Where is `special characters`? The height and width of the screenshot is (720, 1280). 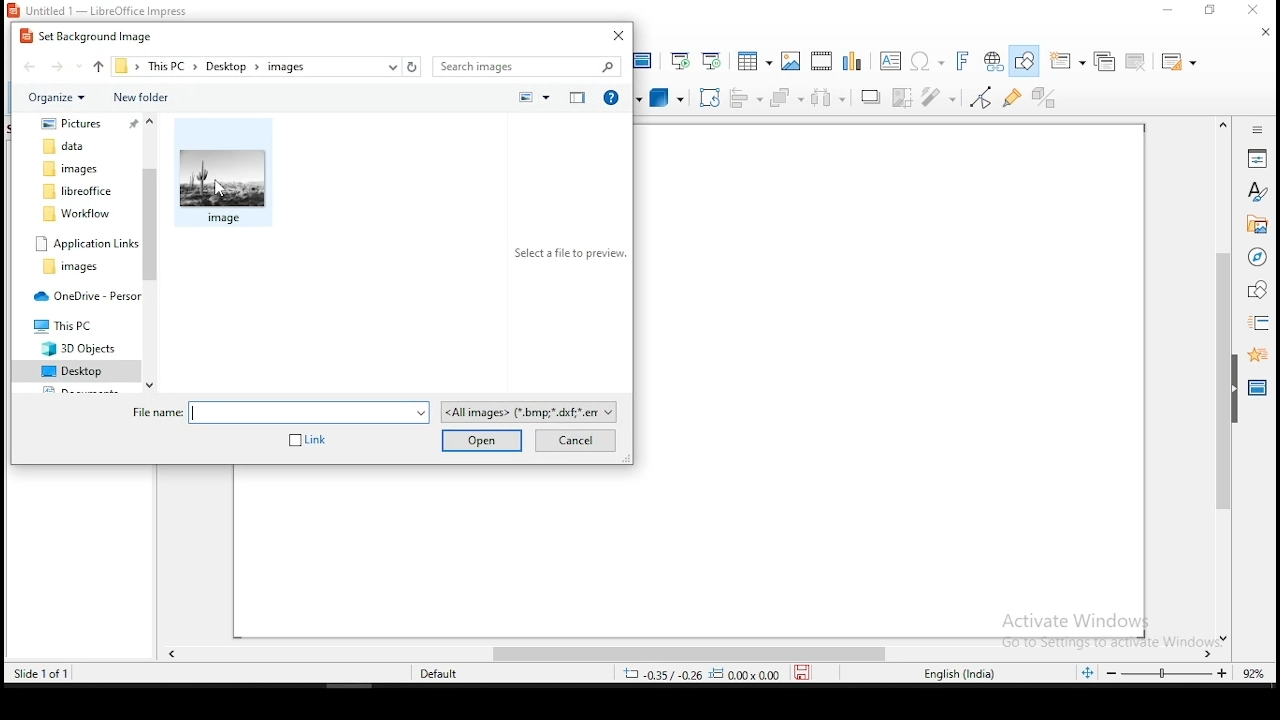
special characters is located at coordinates (927, 62).